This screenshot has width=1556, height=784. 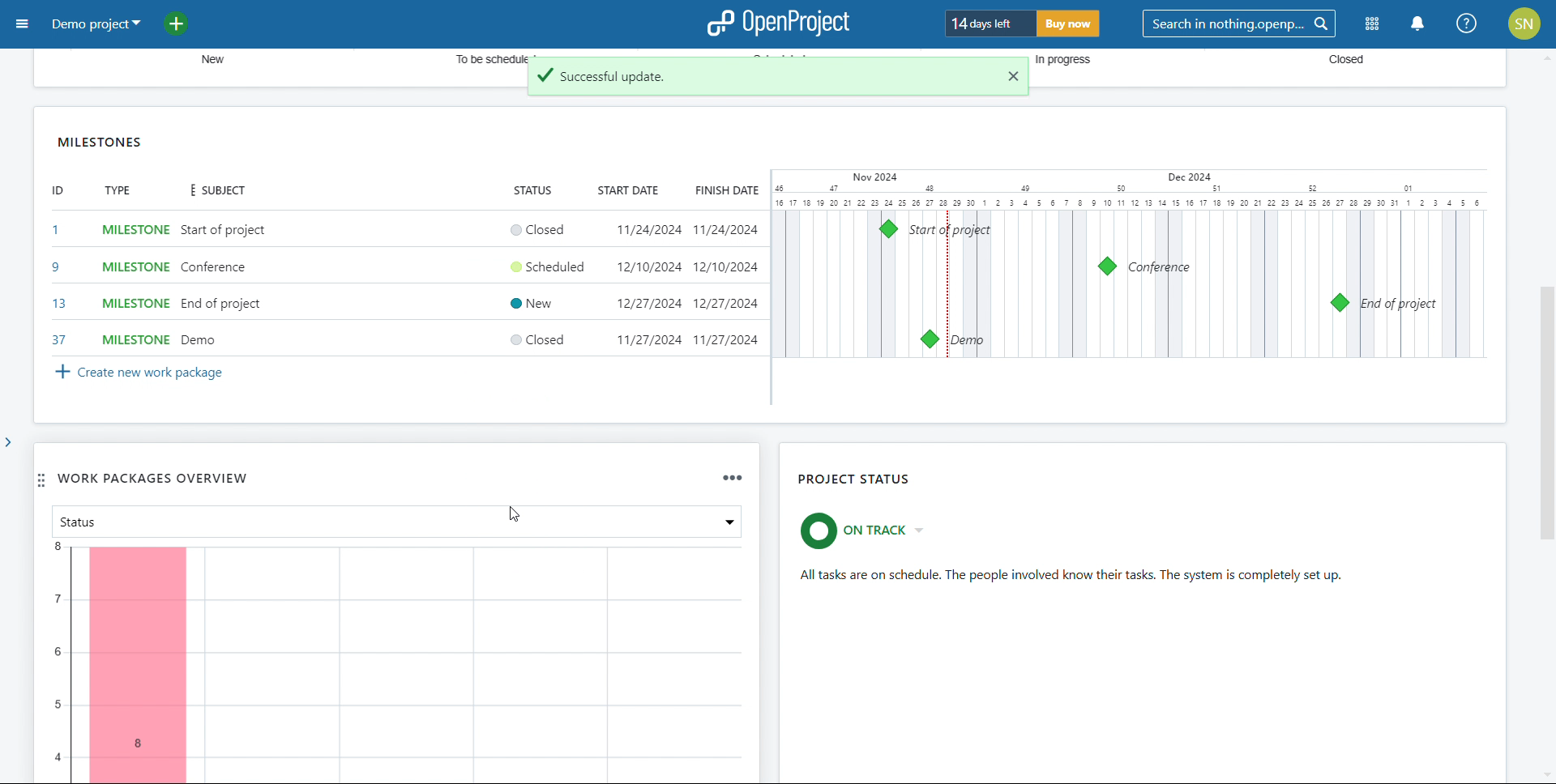 What do you see at coordinates (224, 286) in the screenshot?
I see `add subject` at bounding box center [224, 286].